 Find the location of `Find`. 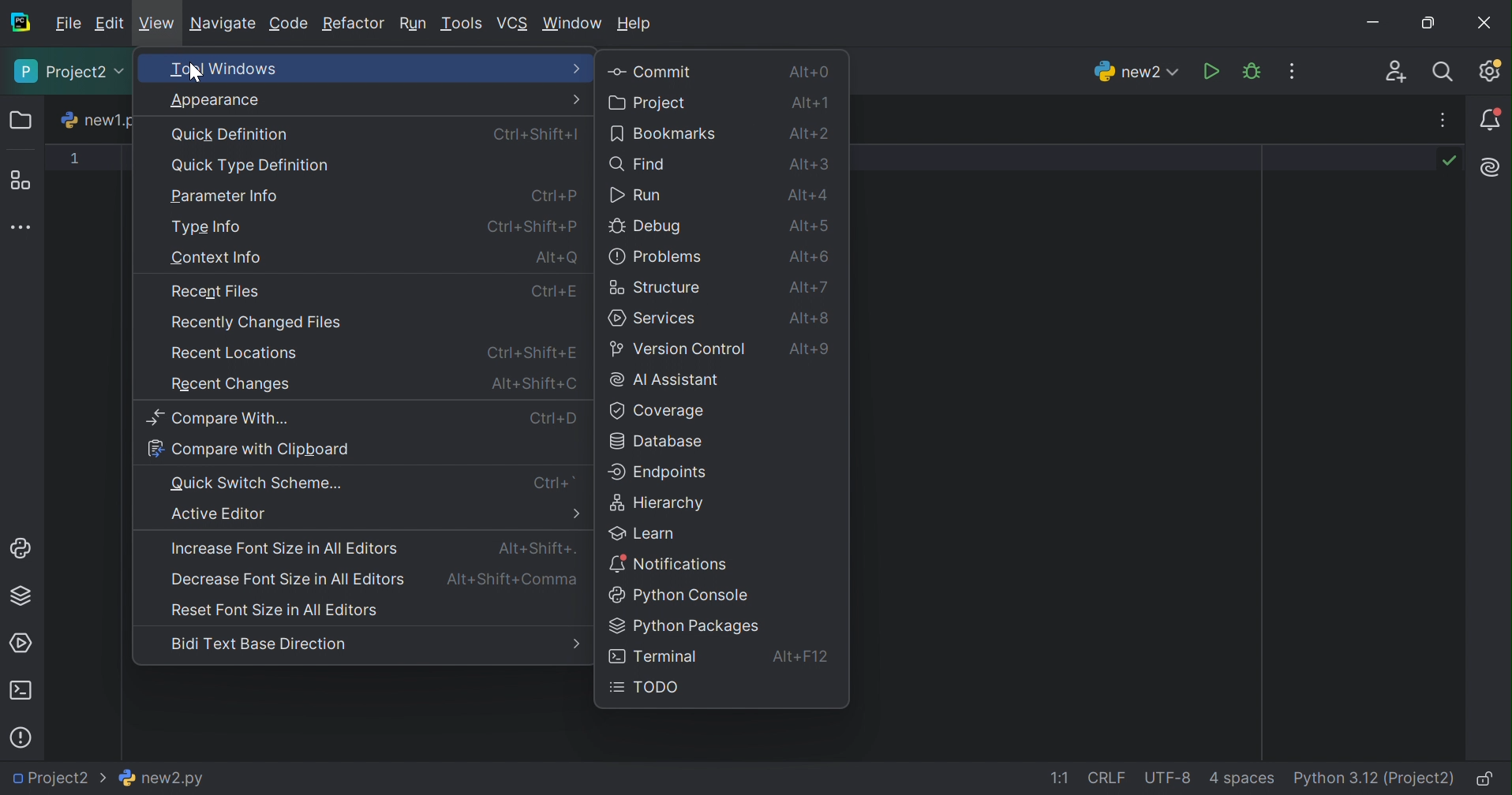

Find is located at coordinates (637, 163).